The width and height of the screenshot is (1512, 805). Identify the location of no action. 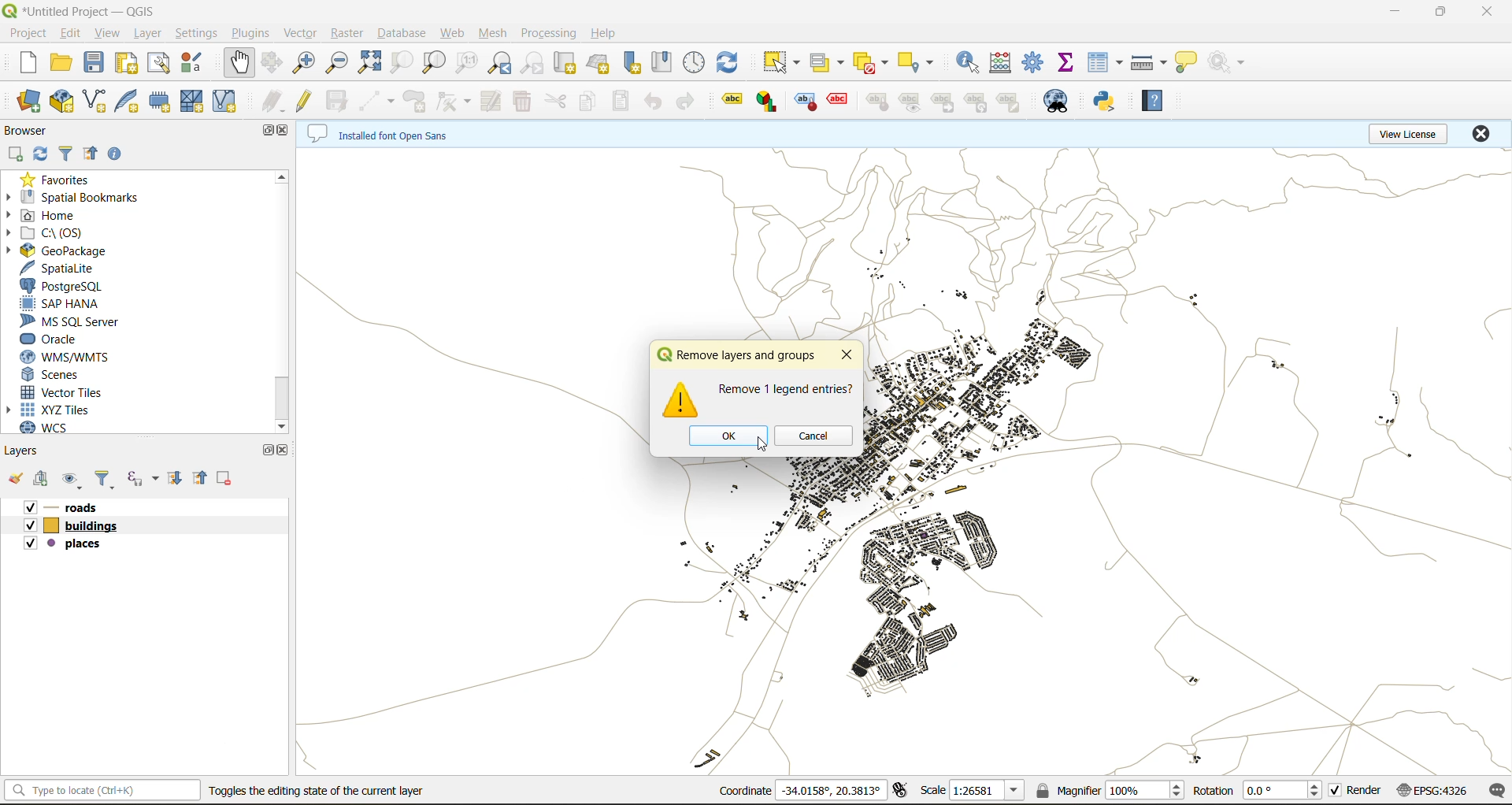
(1229, 64).